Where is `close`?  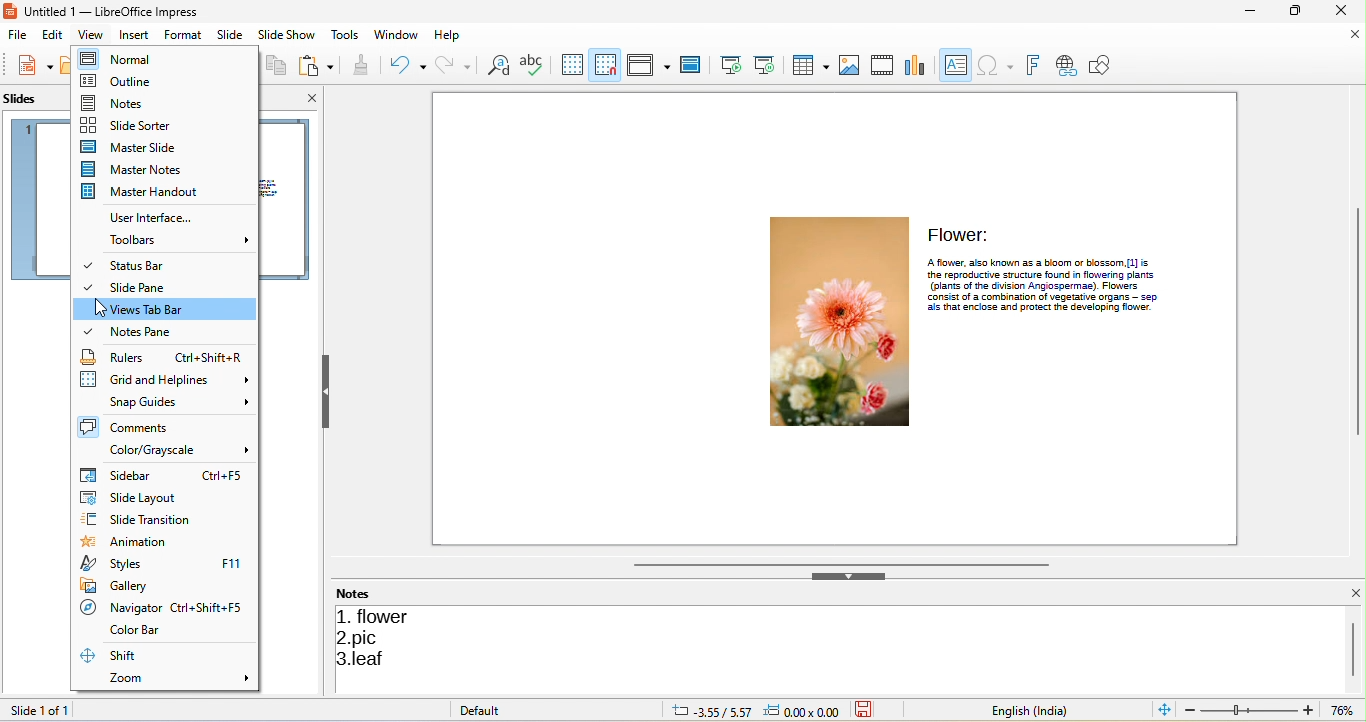
close is located at coordinates (1346, 11).